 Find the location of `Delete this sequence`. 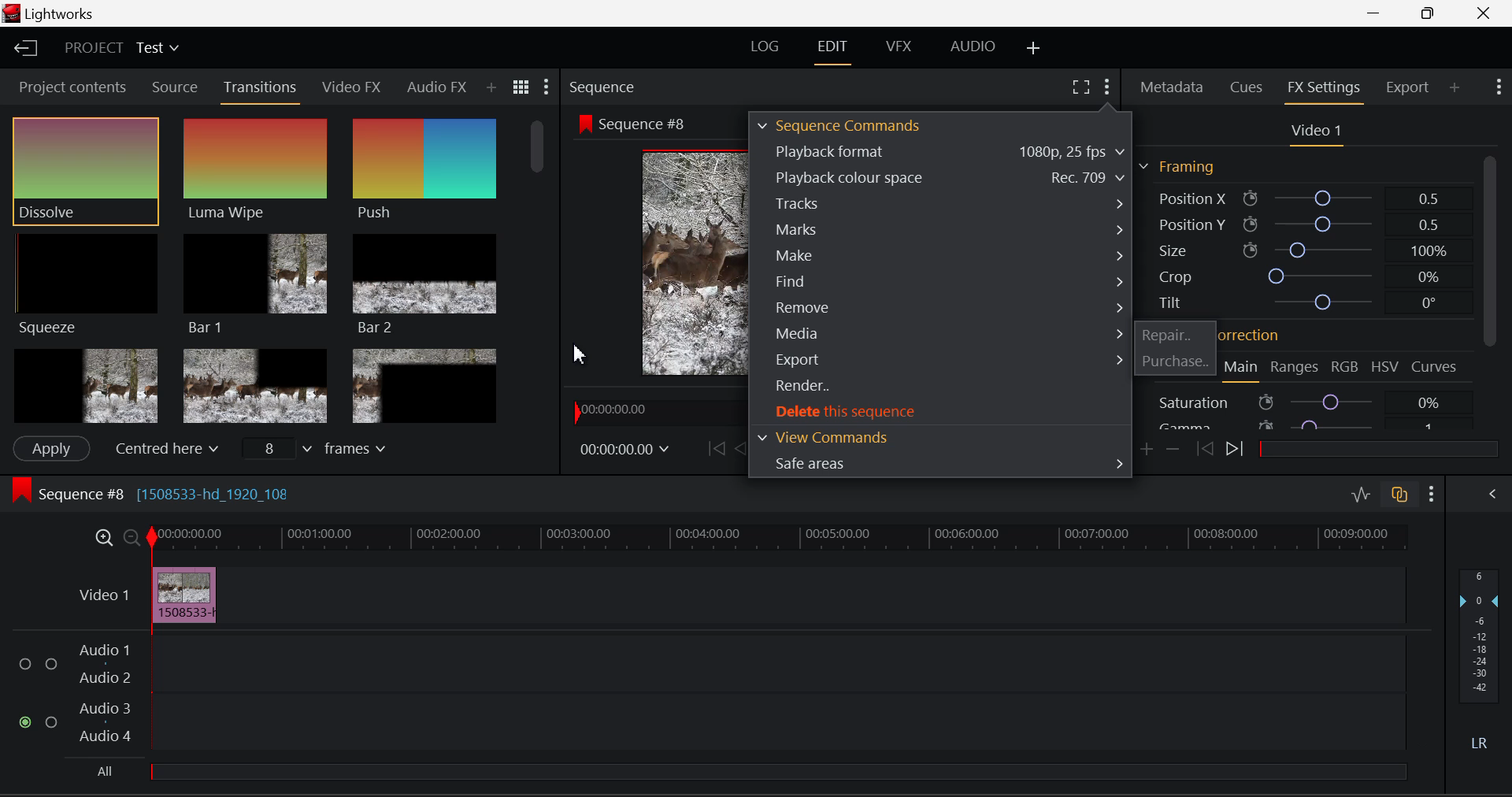

Delete this sequence is located at coordinates (942, 412).